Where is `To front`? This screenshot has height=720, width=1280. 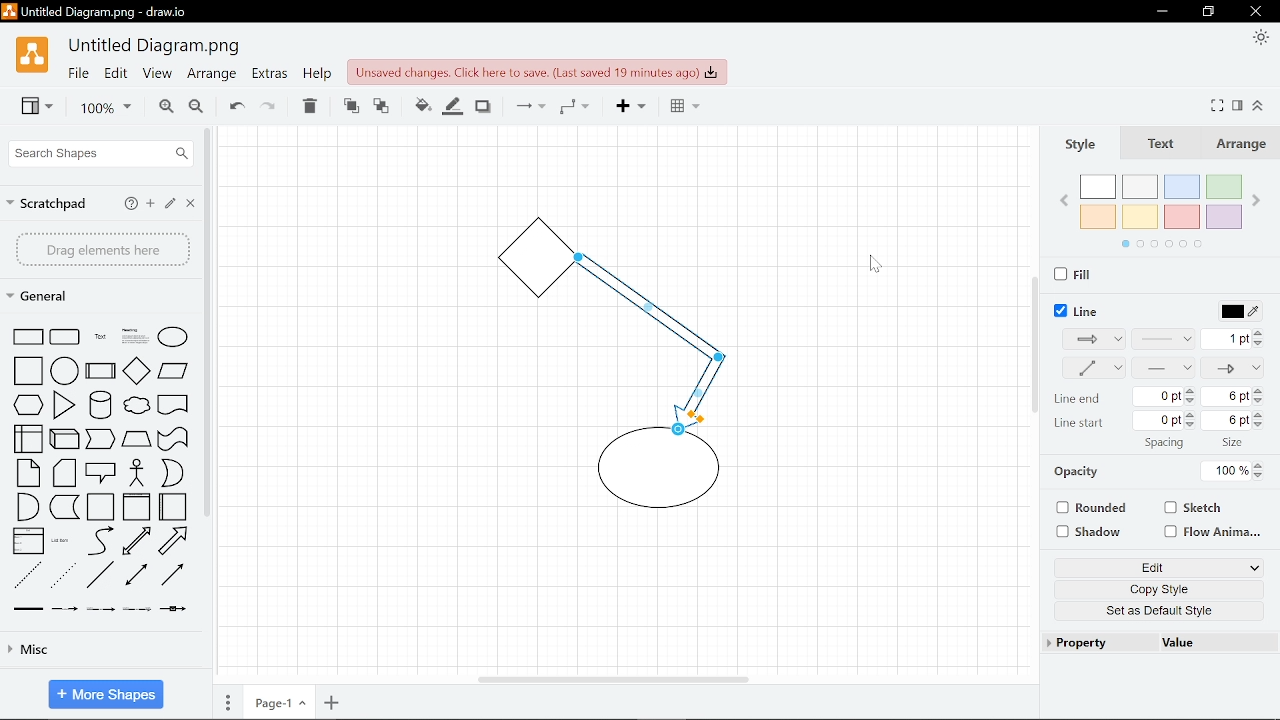 To front is located at coordinates (350, 105).